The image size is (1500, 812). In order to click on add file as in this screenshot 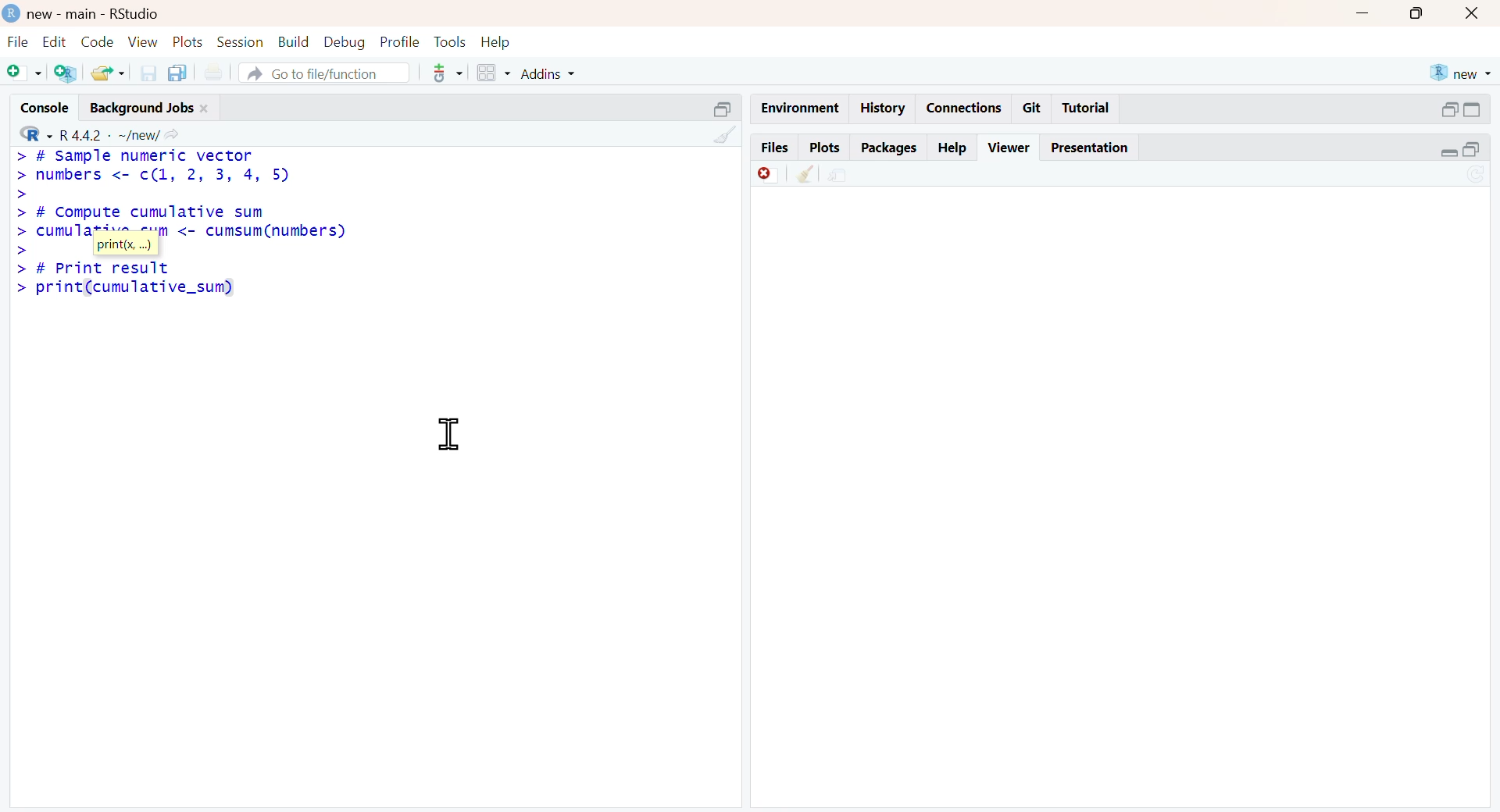, I will do `click(27, 73)`.